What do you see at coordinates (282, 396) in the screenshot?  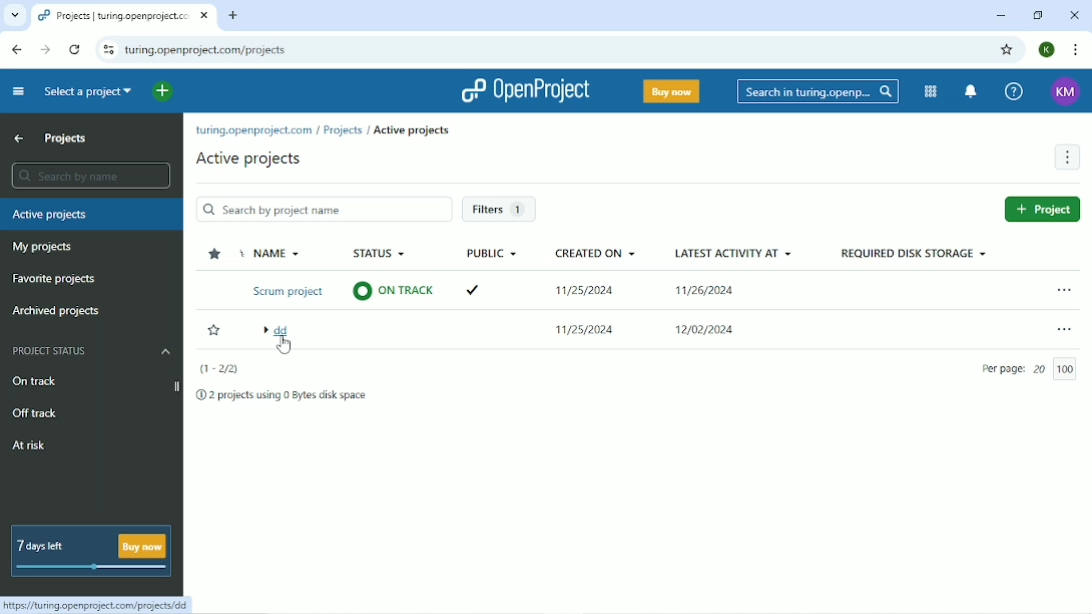 I see `2 projects using 0 Bytes disk space.` at bounding box center [282, 396].